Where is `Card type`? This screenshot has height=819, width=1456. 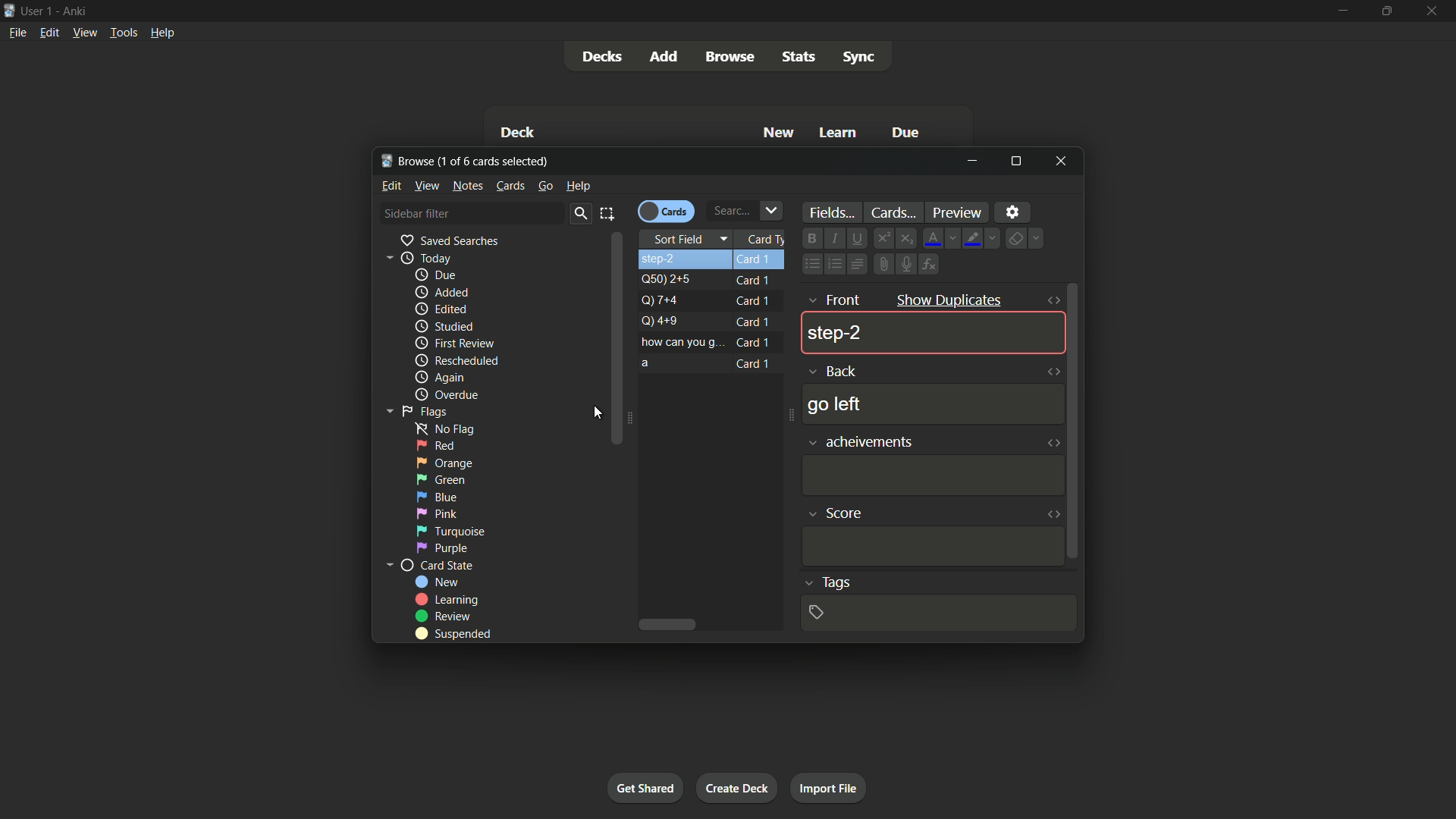
Card type is located at coordinates (764, 240).